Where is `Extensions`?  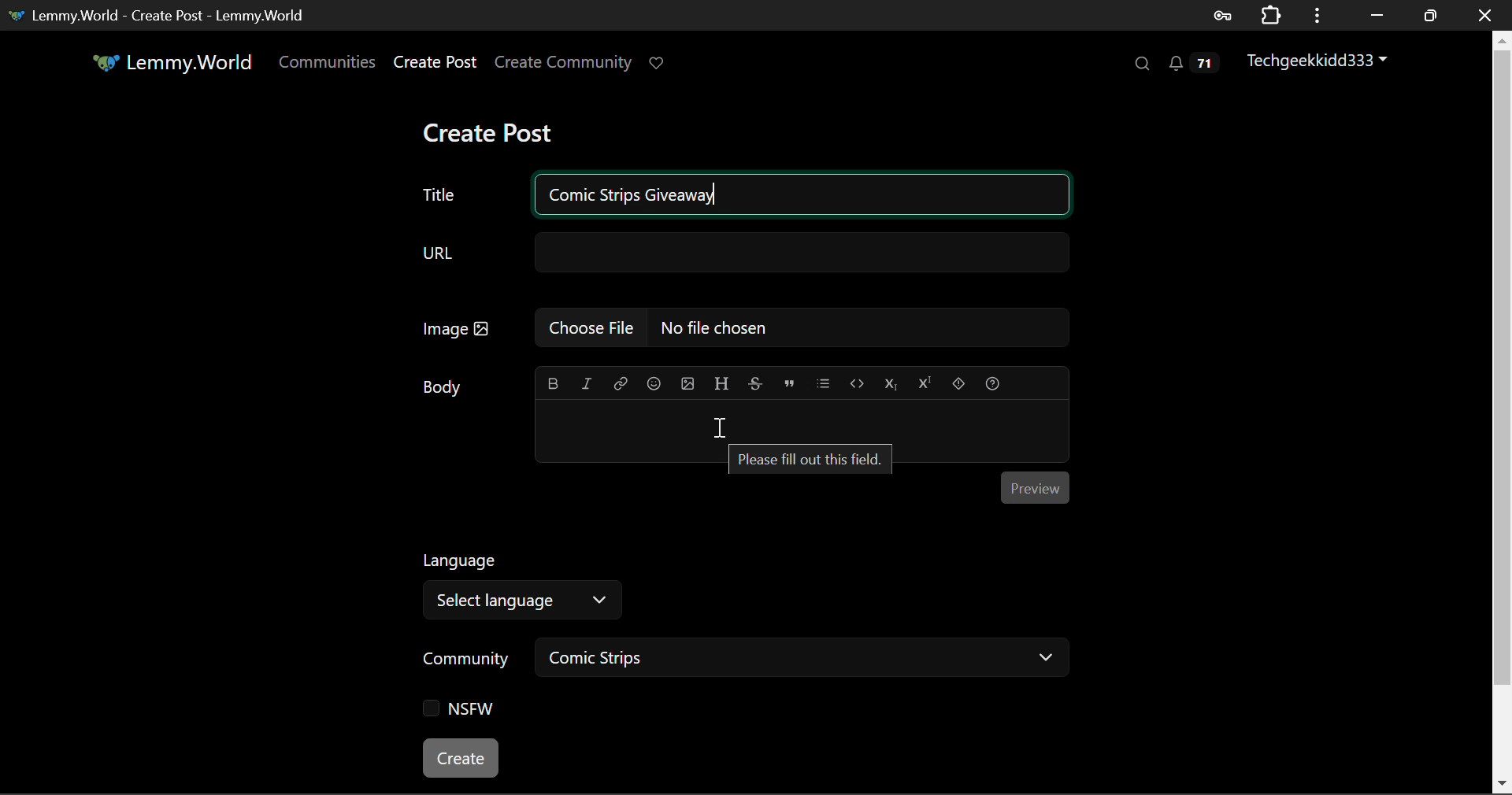 Extensions is located at coordinates (1270, 15).